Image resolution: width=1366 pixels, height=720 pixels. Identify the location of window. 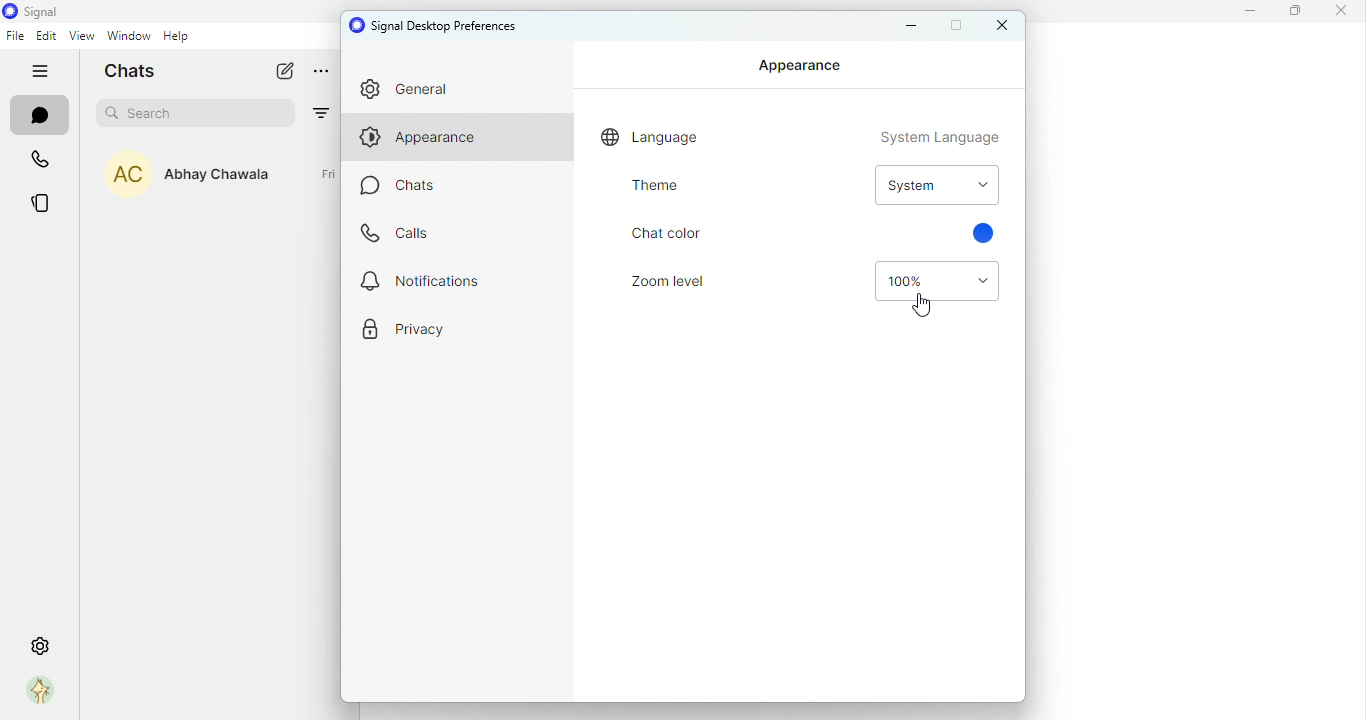
(127, 38).